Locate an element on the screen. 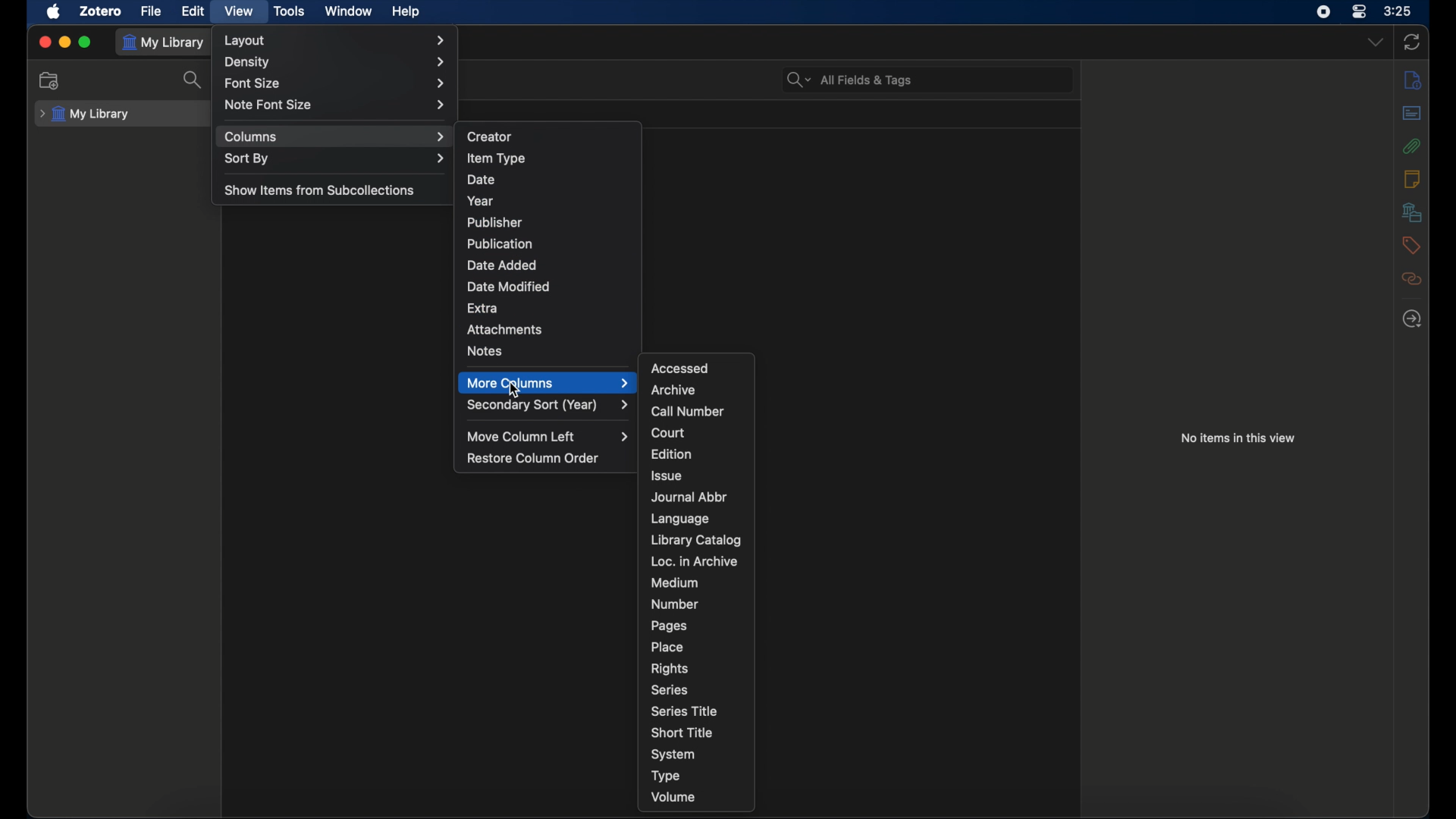  layout is located at coordinates (336, 41).